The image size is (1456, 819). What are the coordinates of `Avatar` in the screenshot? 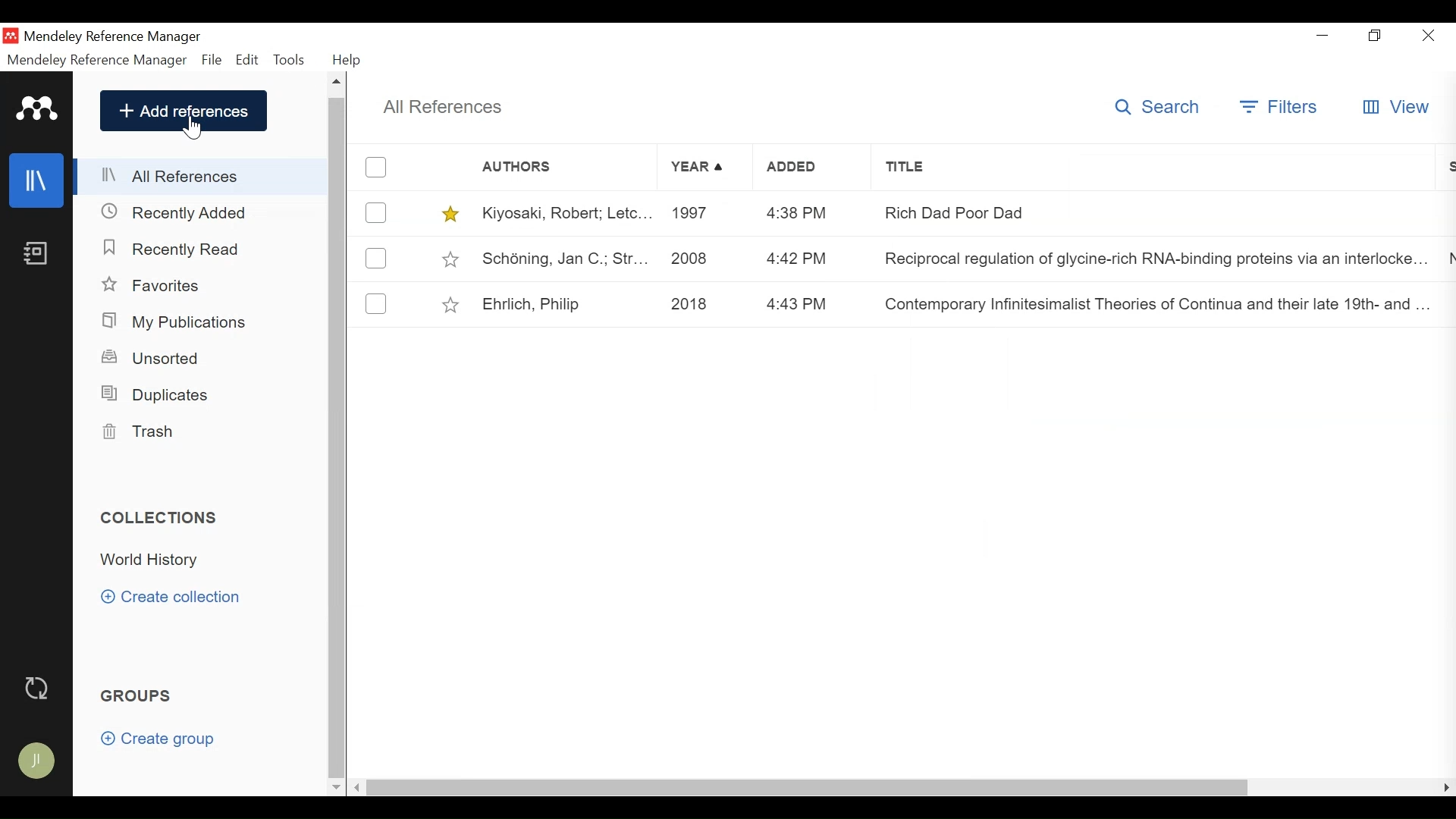 It's located at (38, 762).